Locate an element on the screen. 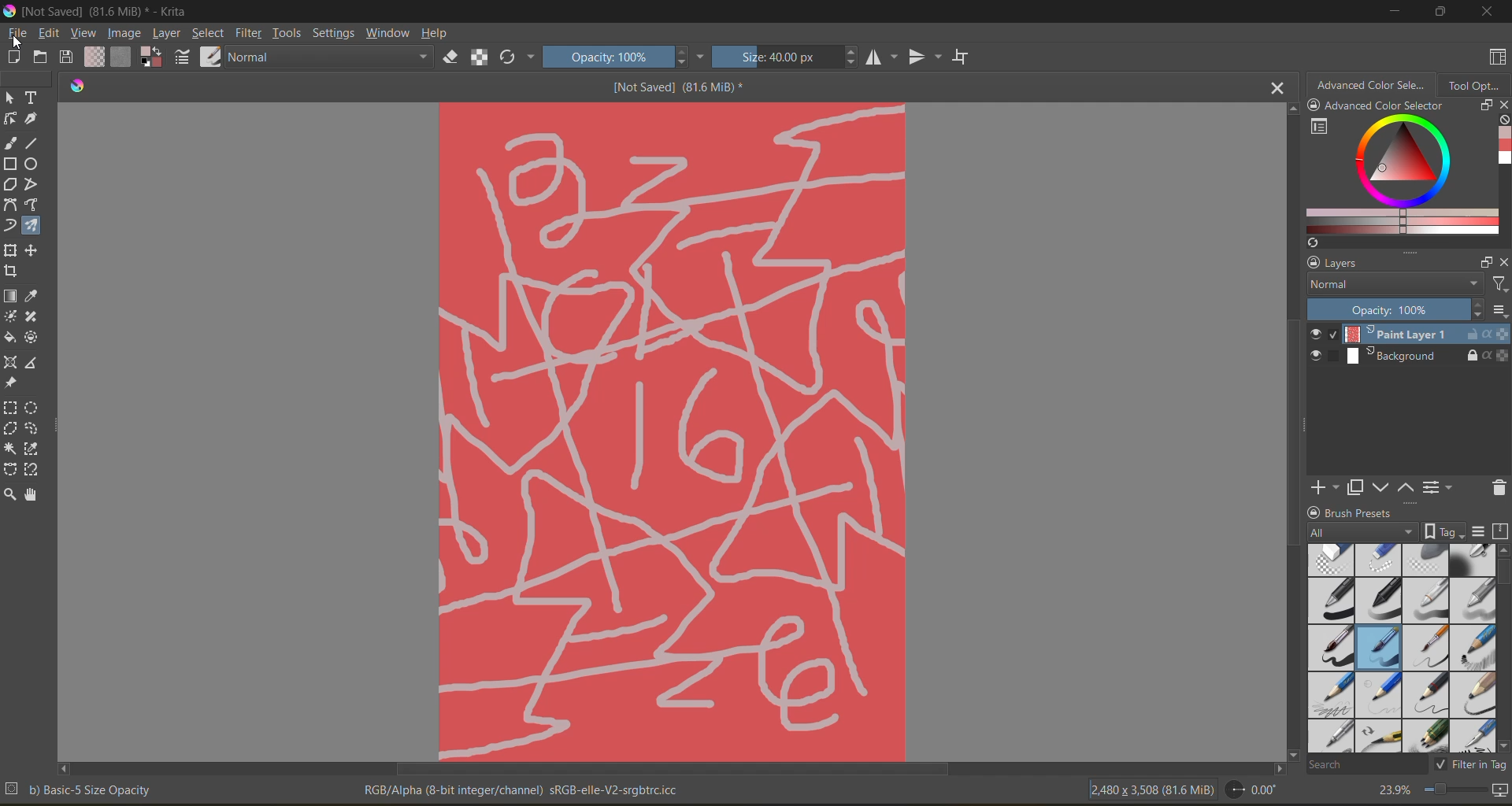 Image resolution: width=1512 pixels, height=806 pixels. view/change layer is located at coordinates (1442, 486).